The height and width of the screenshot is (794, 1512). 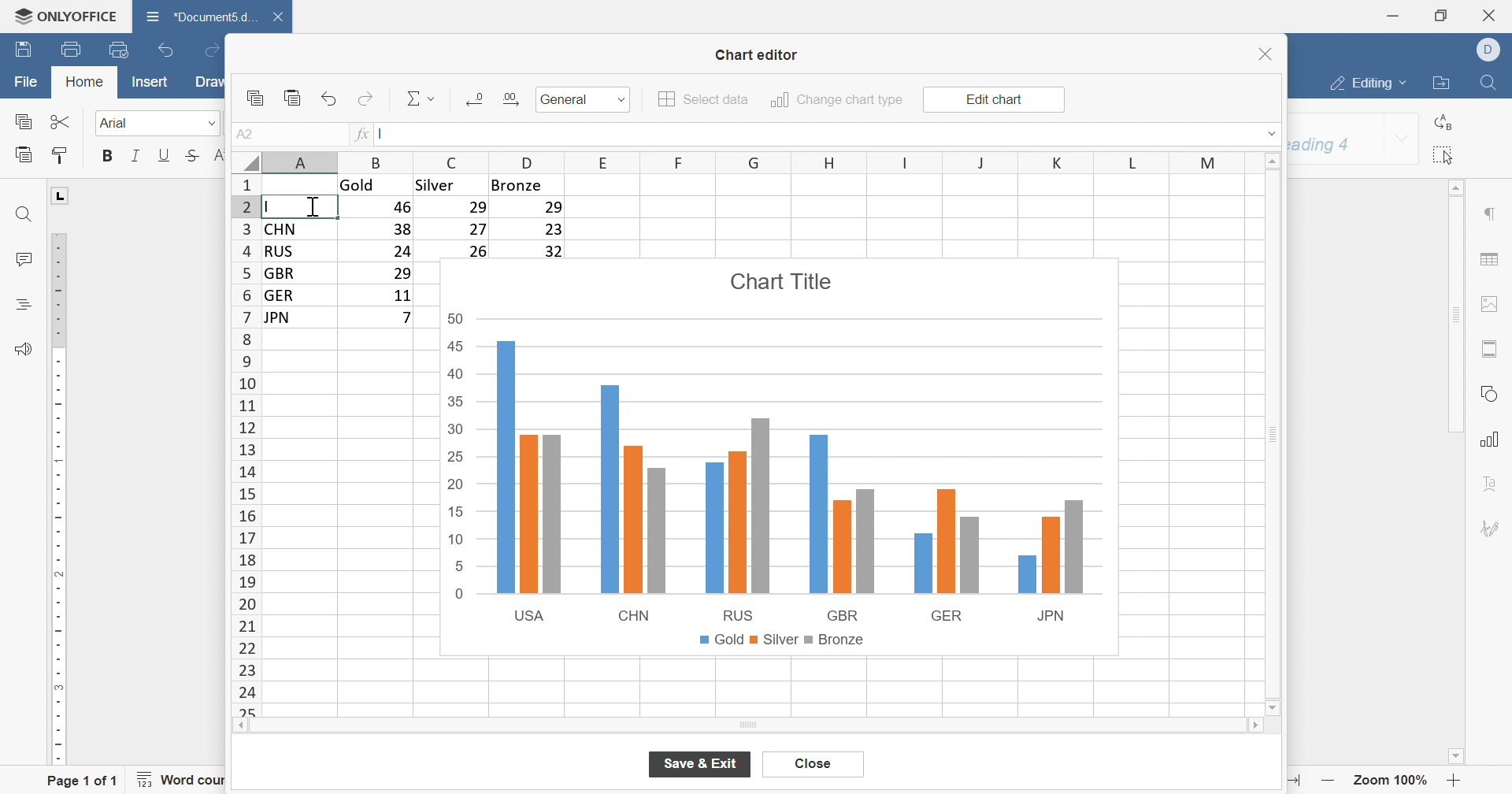 What do you see at coordinates (749, 726) in the screenshot?
I see `scroll bar` at bounding box center [749, 726].